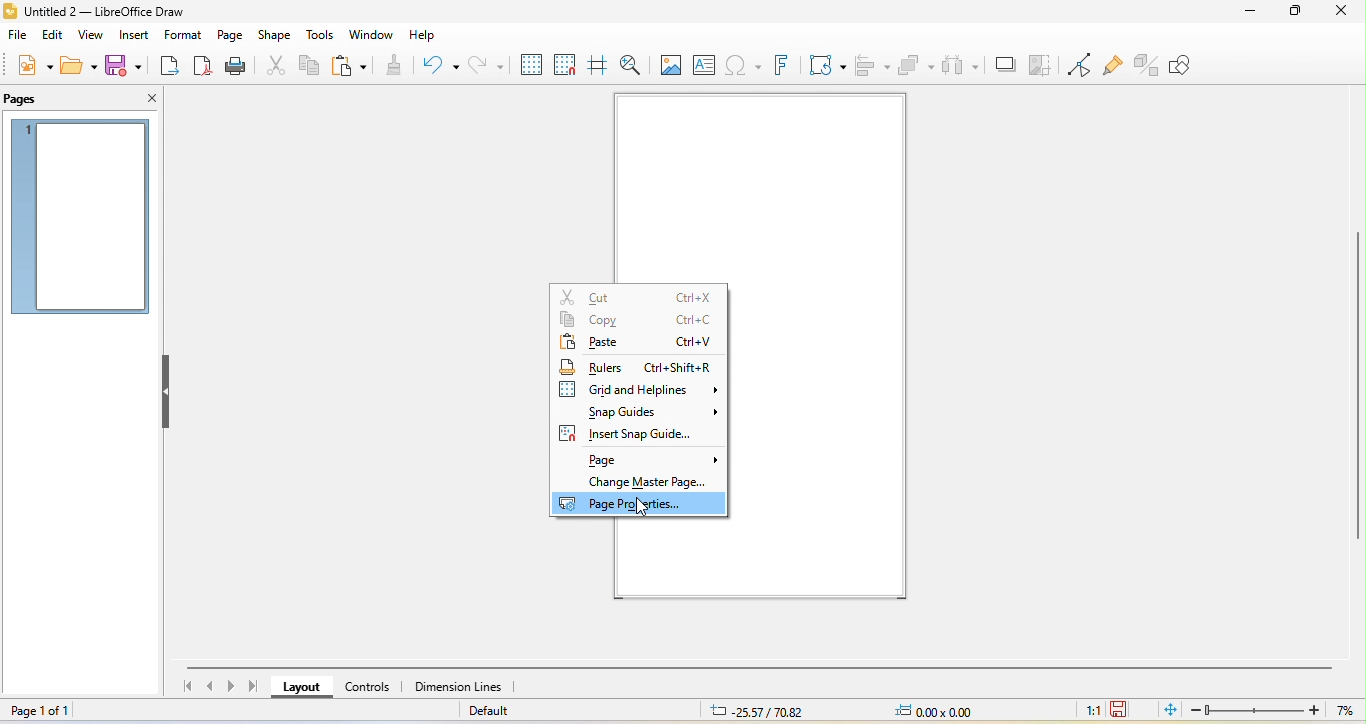  Describe the element at coordinates (596, 66) in the screenshot. I see `helpline while moving` at that location.